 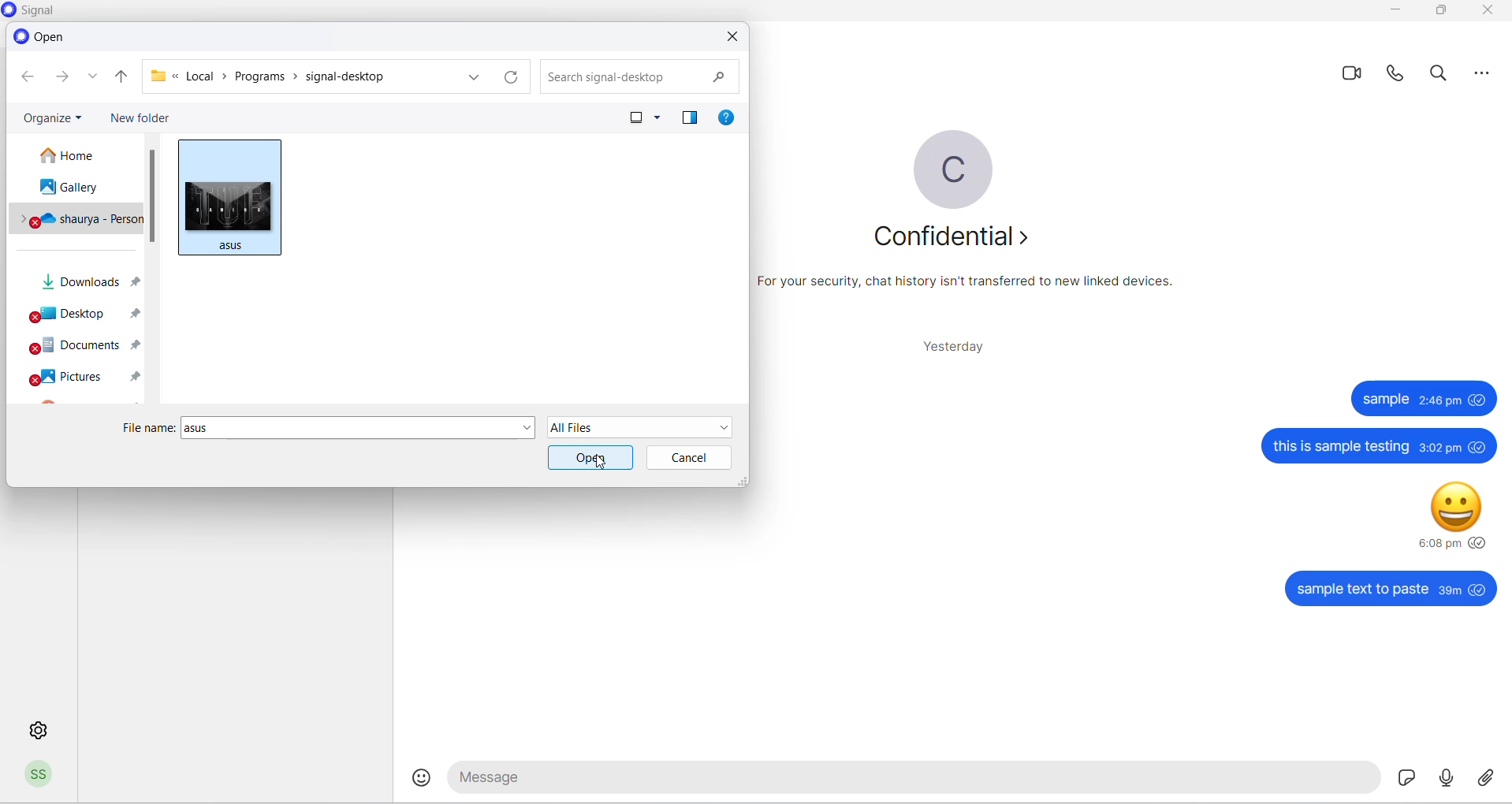 I want to click on seen, so click(x=1479, y=542).